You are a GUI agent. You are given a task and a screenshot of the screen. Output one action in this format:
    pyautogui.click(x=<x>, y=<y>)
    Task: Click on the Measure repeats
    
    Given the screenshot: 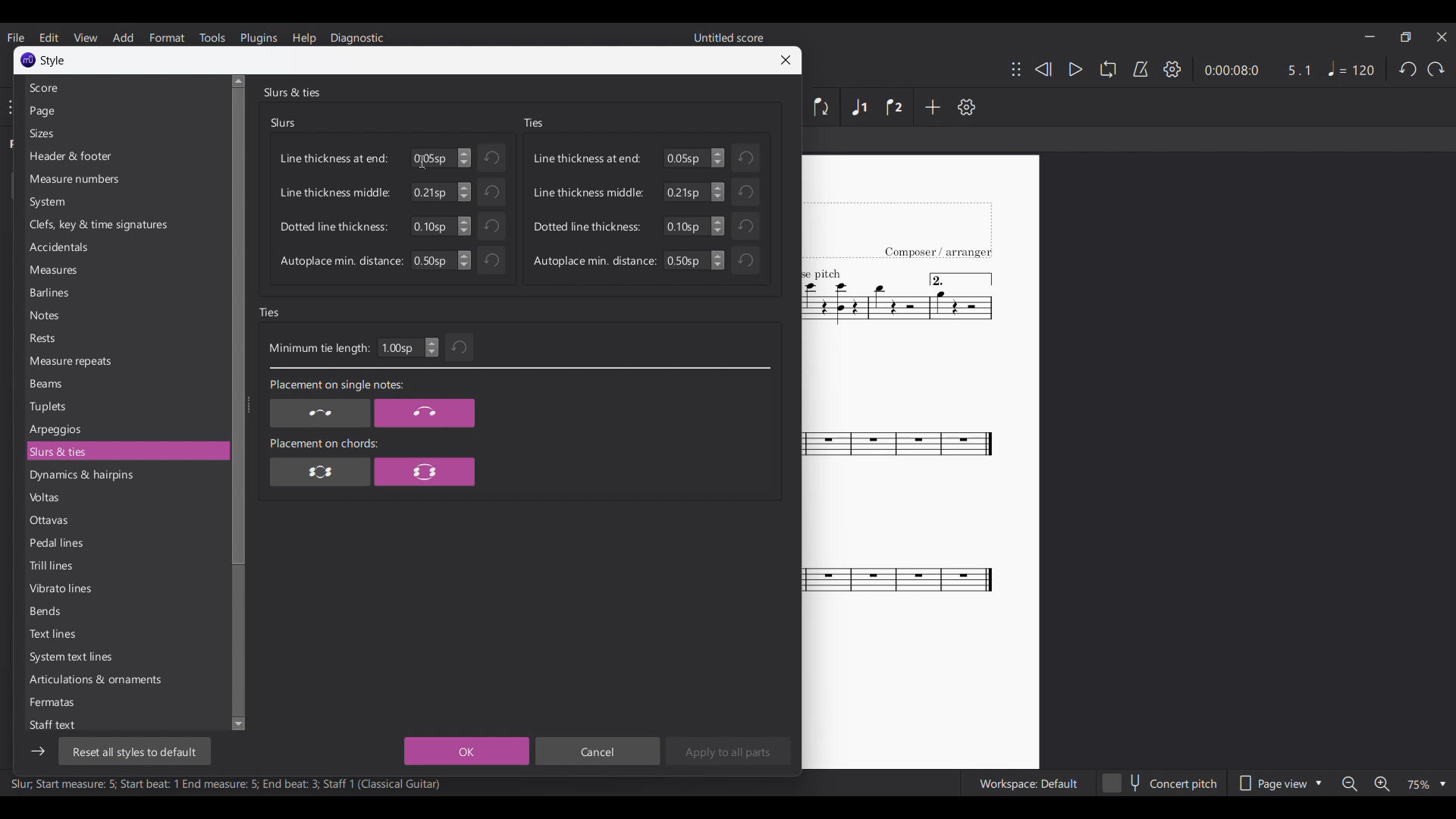 What is the action you would take?
    pyautogui.click(x=125, y=361)
    